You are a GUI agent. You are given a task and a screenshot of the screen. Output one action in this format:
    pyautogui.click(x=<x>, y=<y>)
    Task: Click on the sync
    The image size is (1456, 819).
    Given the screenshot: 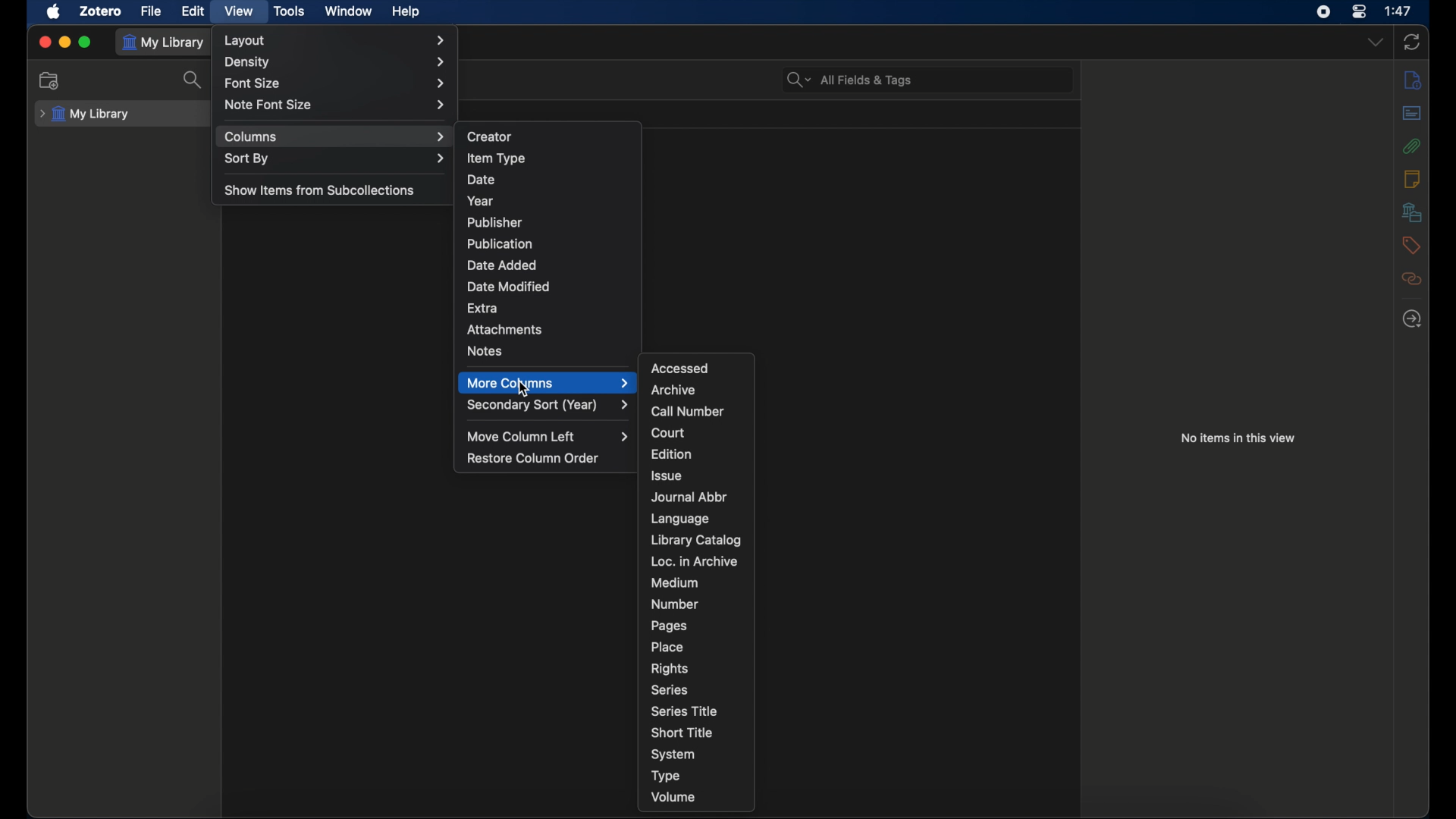 What is the action you would take?
    pyautogui.click(x=1412, y=42)
    